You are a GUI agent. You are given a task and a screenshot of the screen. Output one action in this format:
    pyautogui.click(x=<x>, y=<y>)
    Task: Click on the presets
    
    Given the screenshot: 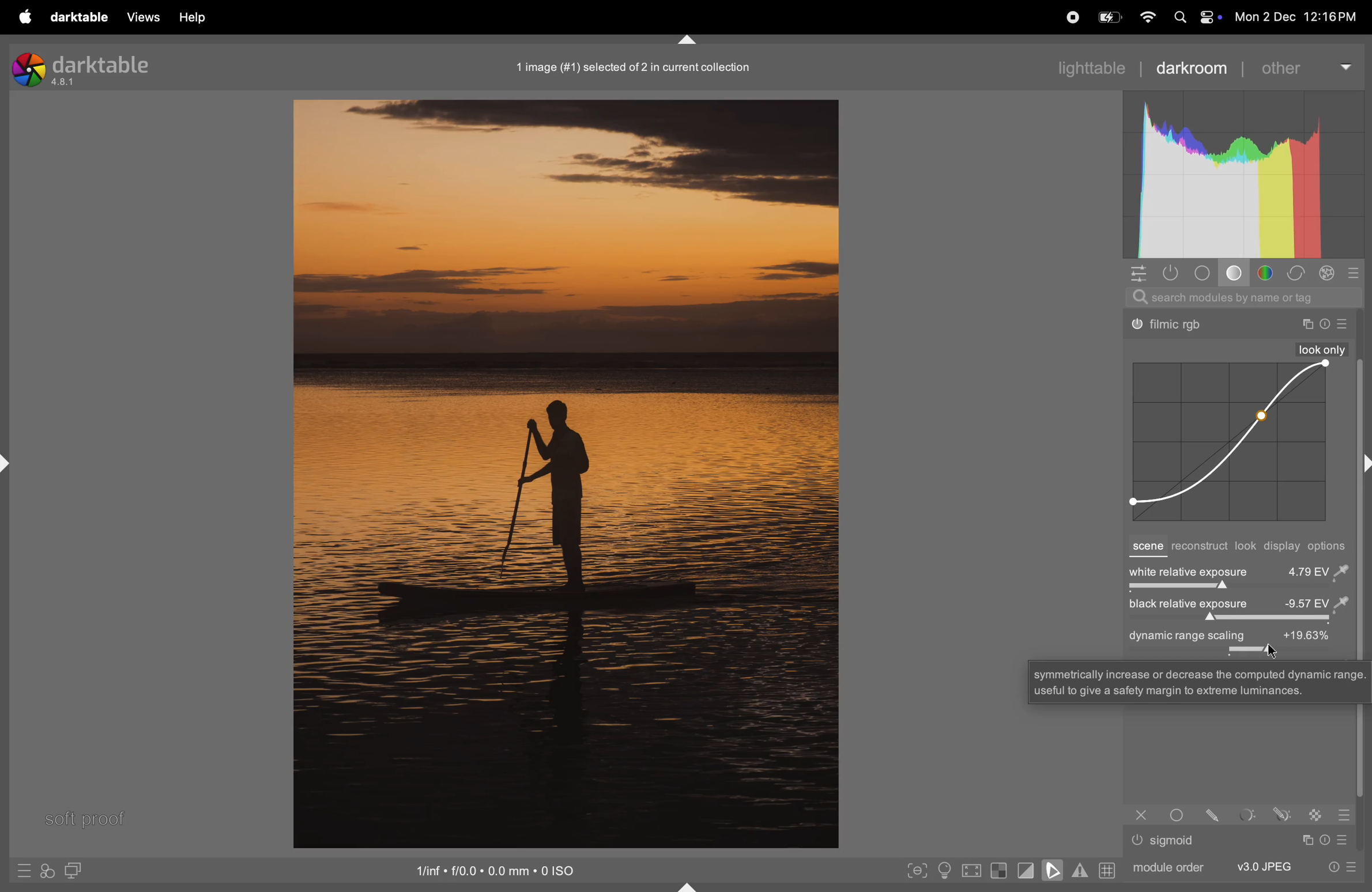 What is the action you would take?
    pyautogui.click(x=1355, y=273)
    